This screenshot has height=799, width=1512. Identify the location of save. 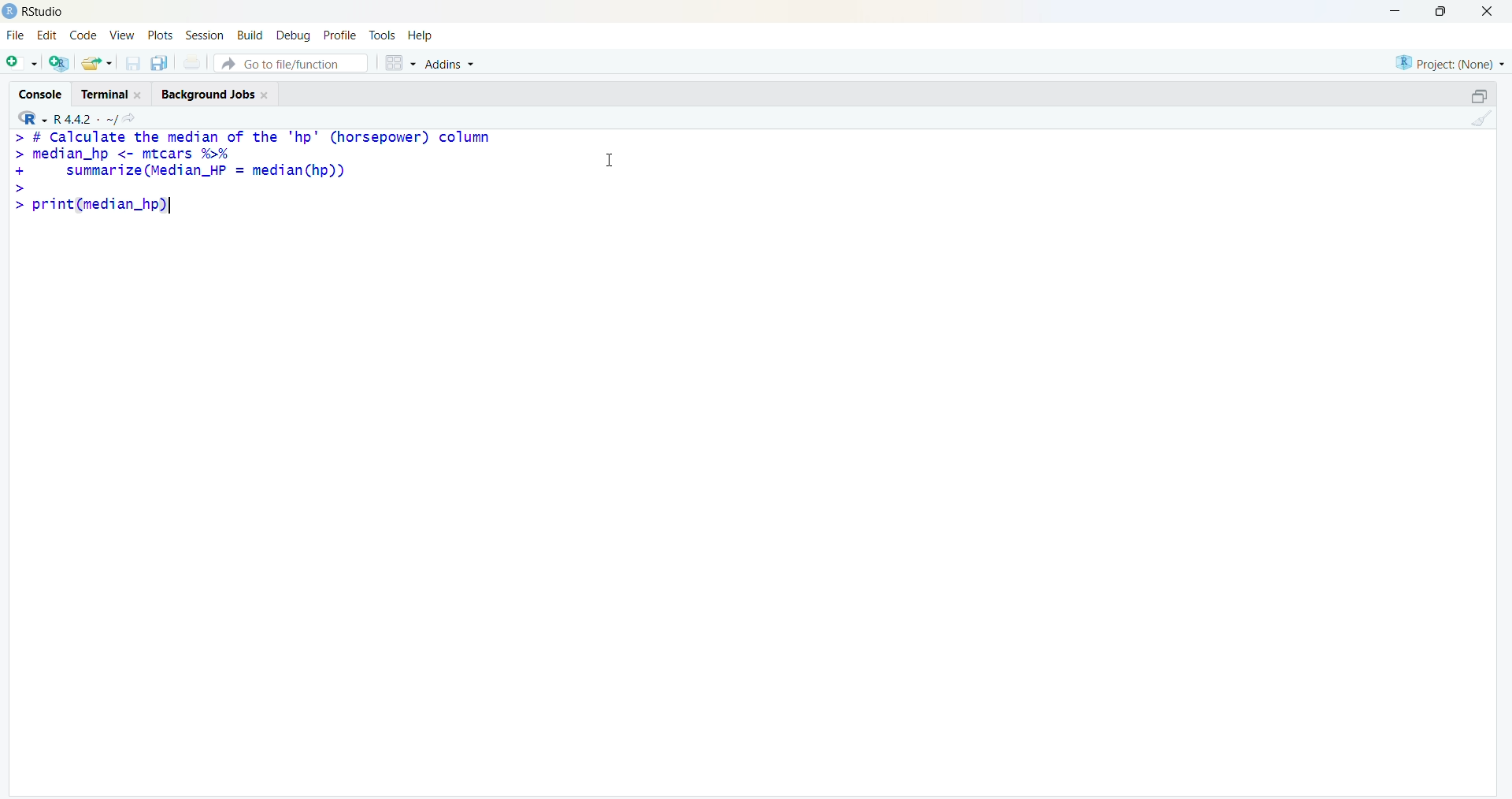
(135, 63).